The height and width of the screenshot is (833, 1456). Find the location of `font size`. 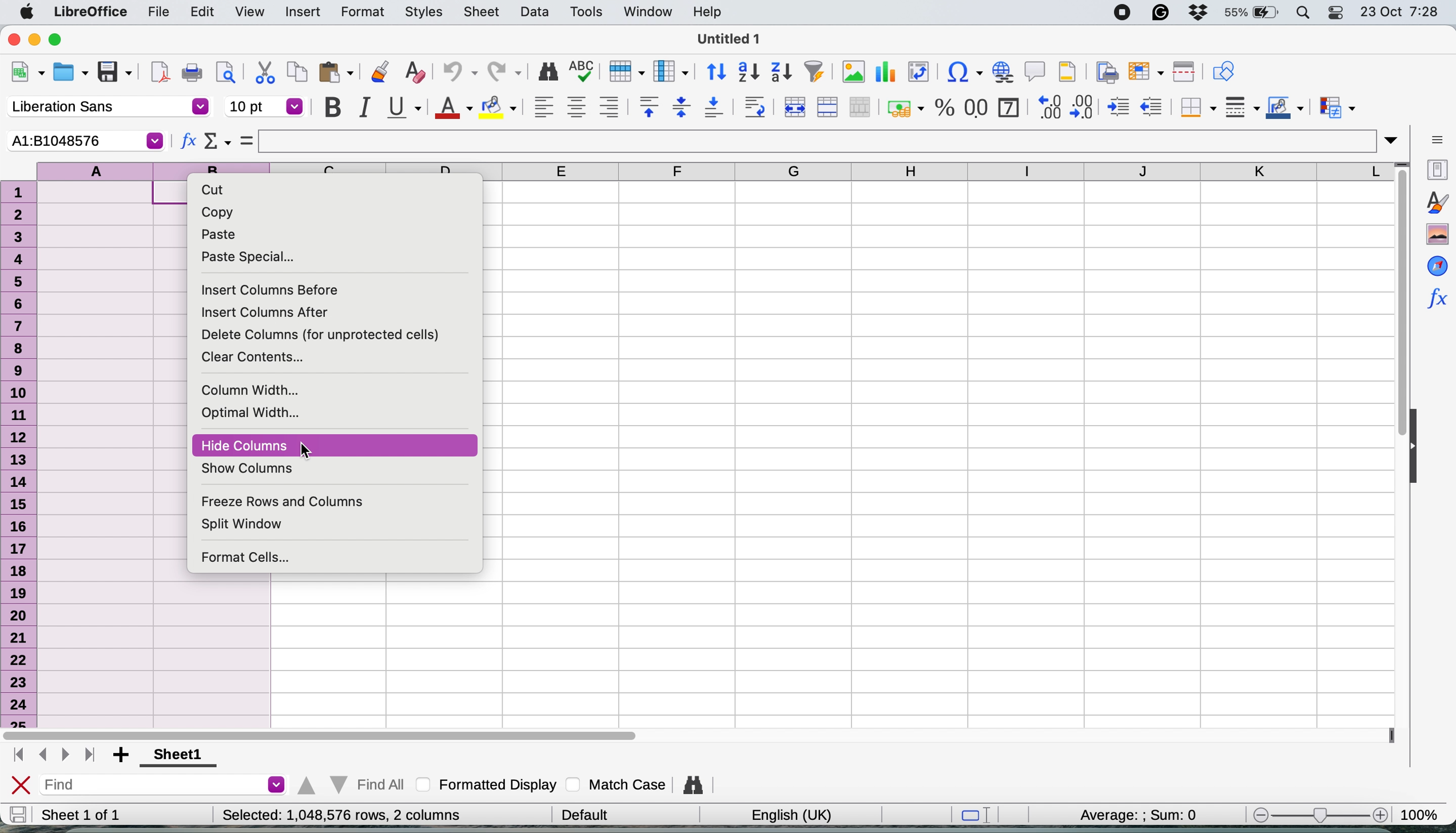

font size is located at coordinates (265, 106).